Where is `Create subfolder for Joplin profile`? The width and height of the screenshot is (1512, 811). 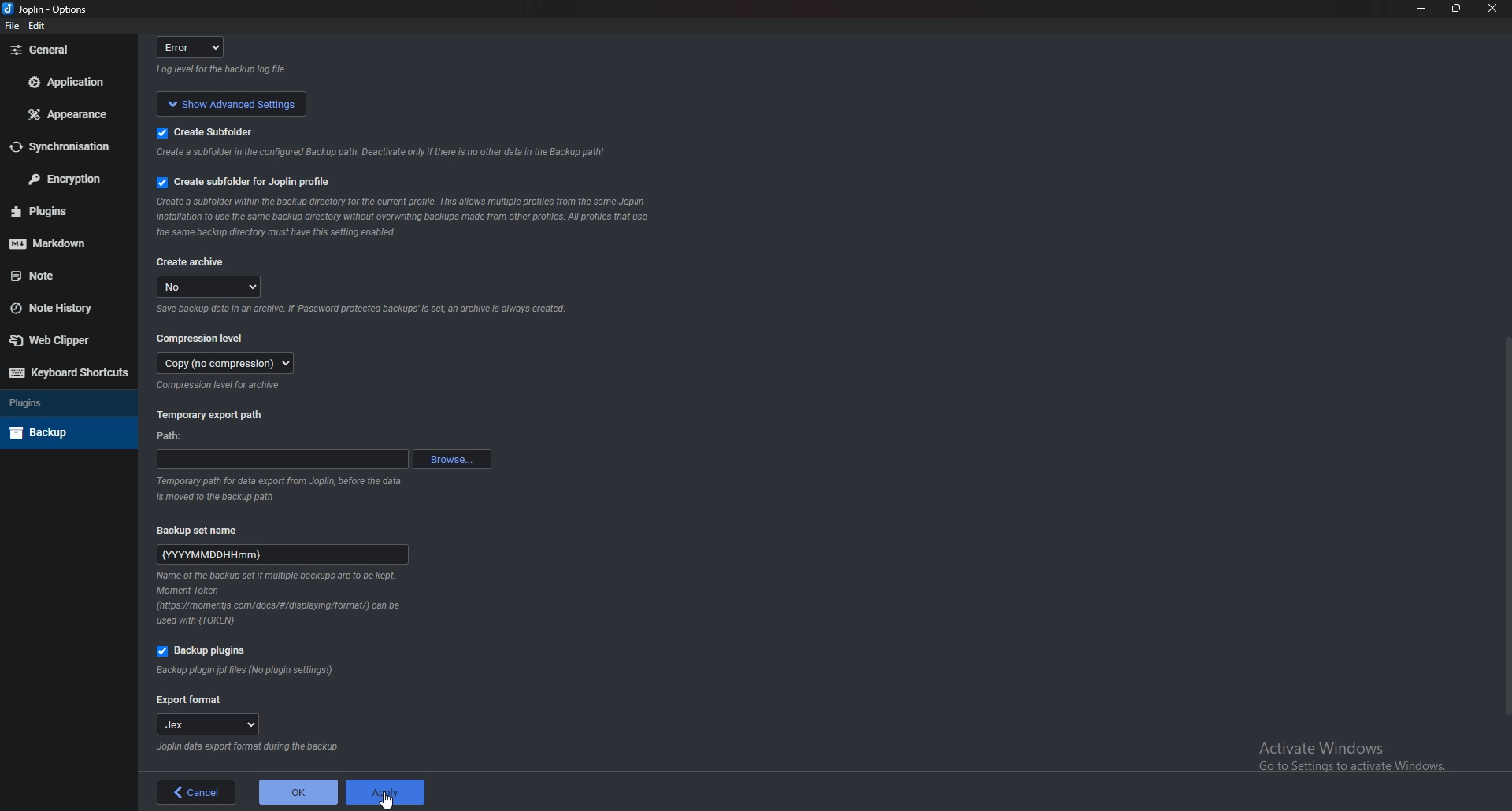
Create subfolder for Joplin profile is located at coordinates (247, 182).